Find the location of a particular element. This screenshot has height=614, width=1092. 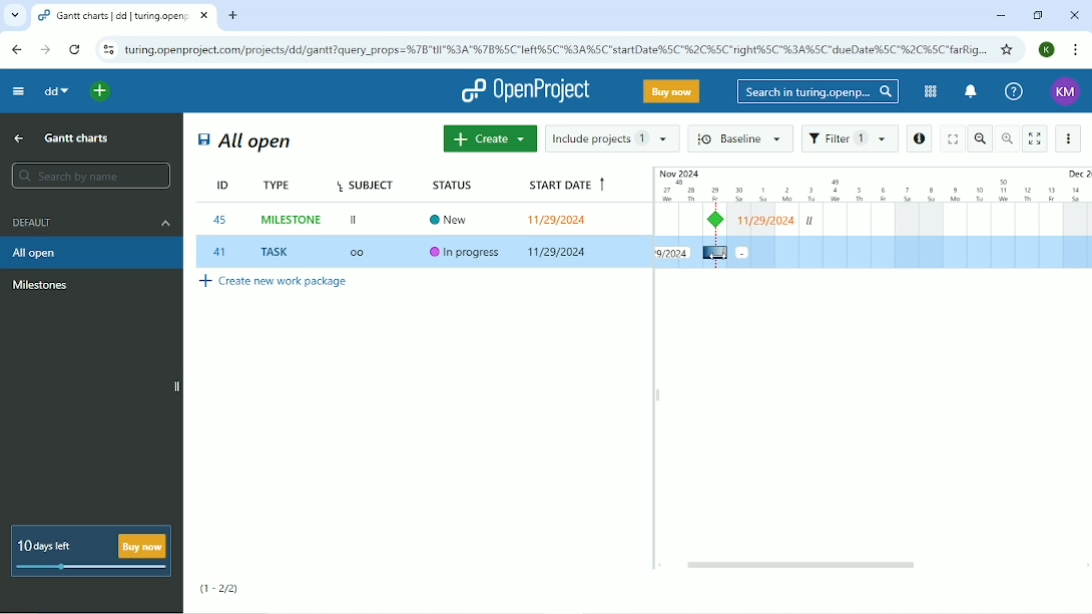

TASK is located at coordinates (278, 252).